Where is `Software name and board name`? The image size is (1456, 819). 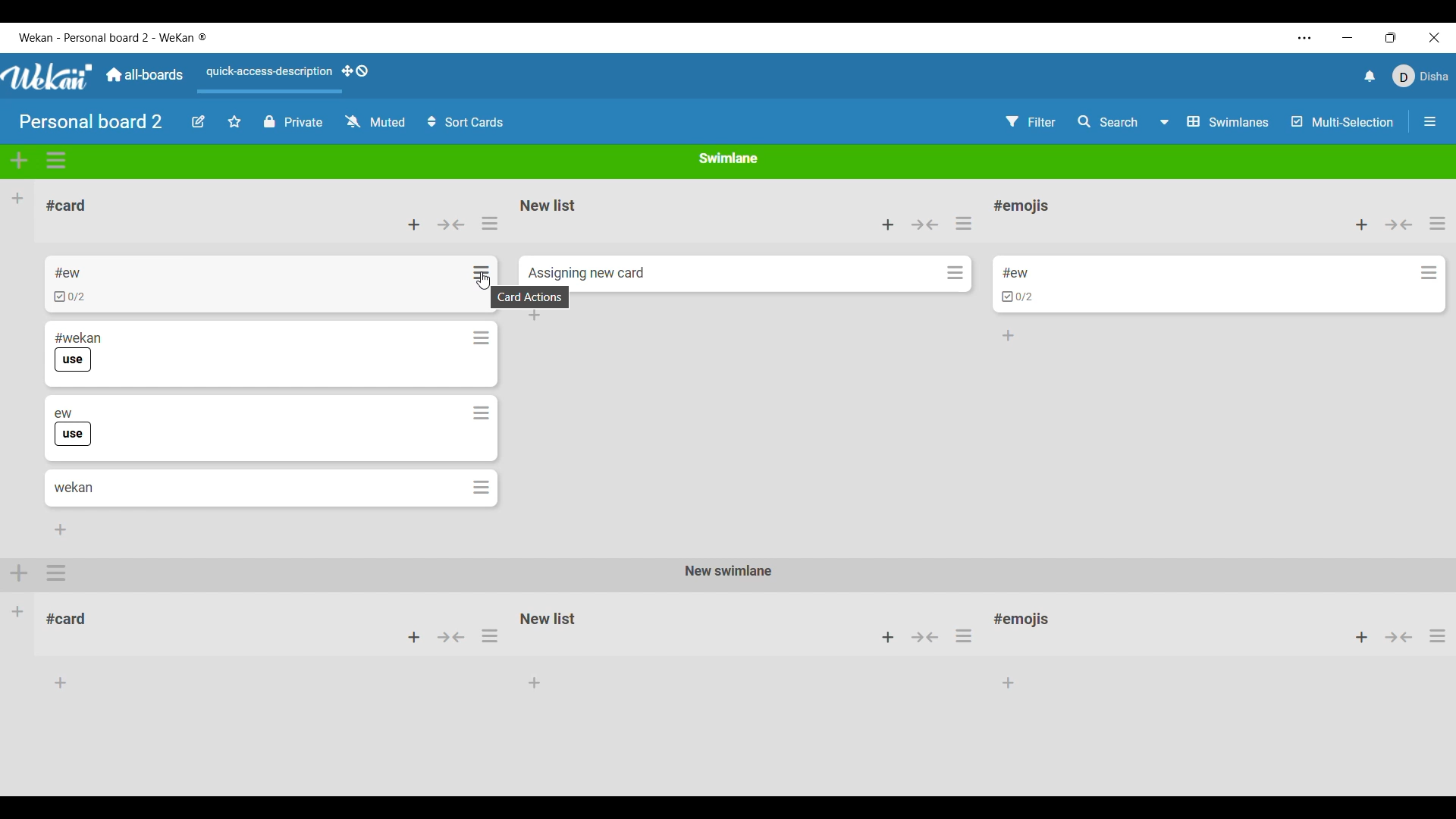 Software name and board name is located at coordinates (112, 37).